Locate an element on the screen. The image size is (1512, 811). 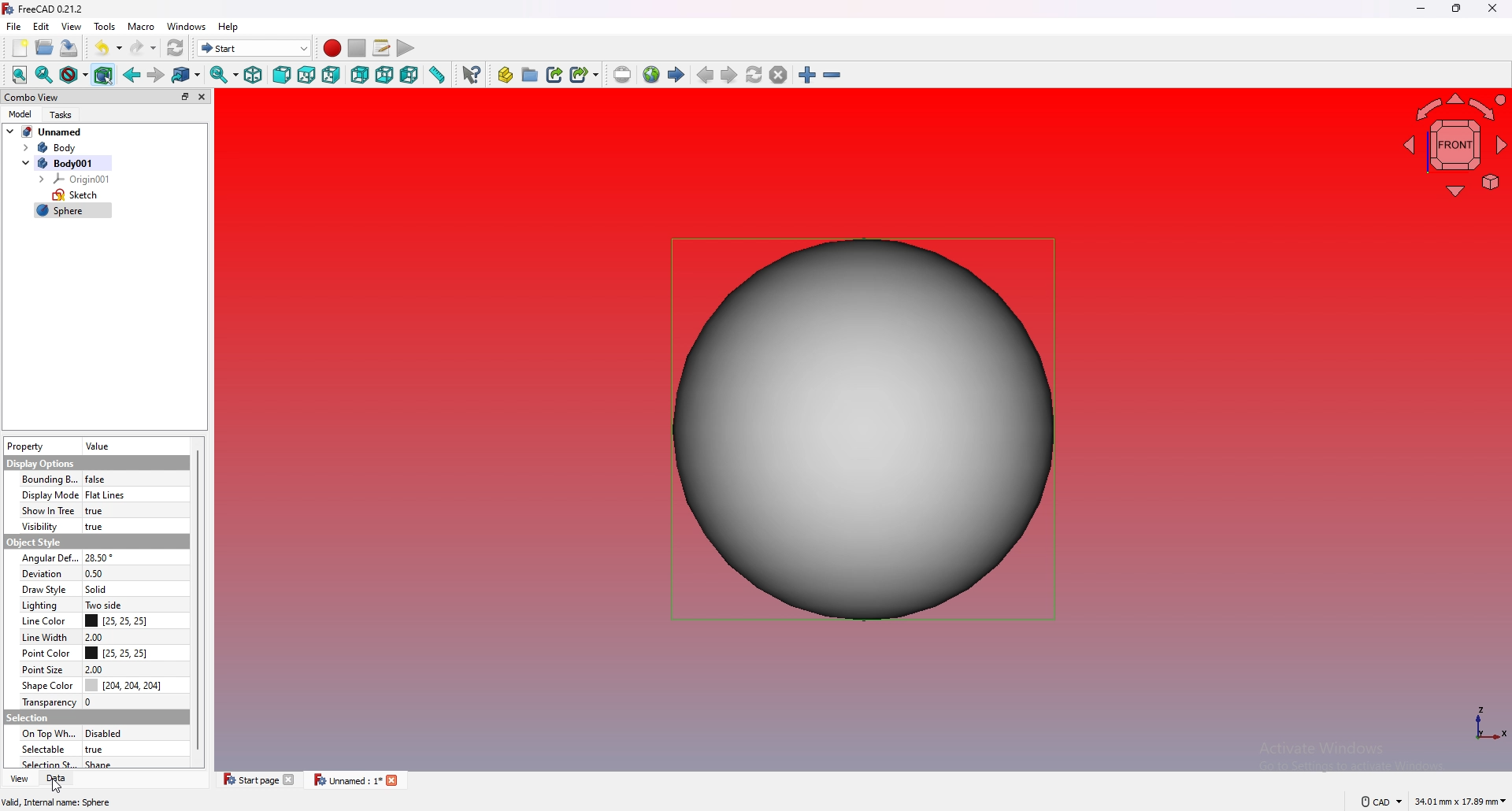
angular deflection is located at coordinates (96, 557).